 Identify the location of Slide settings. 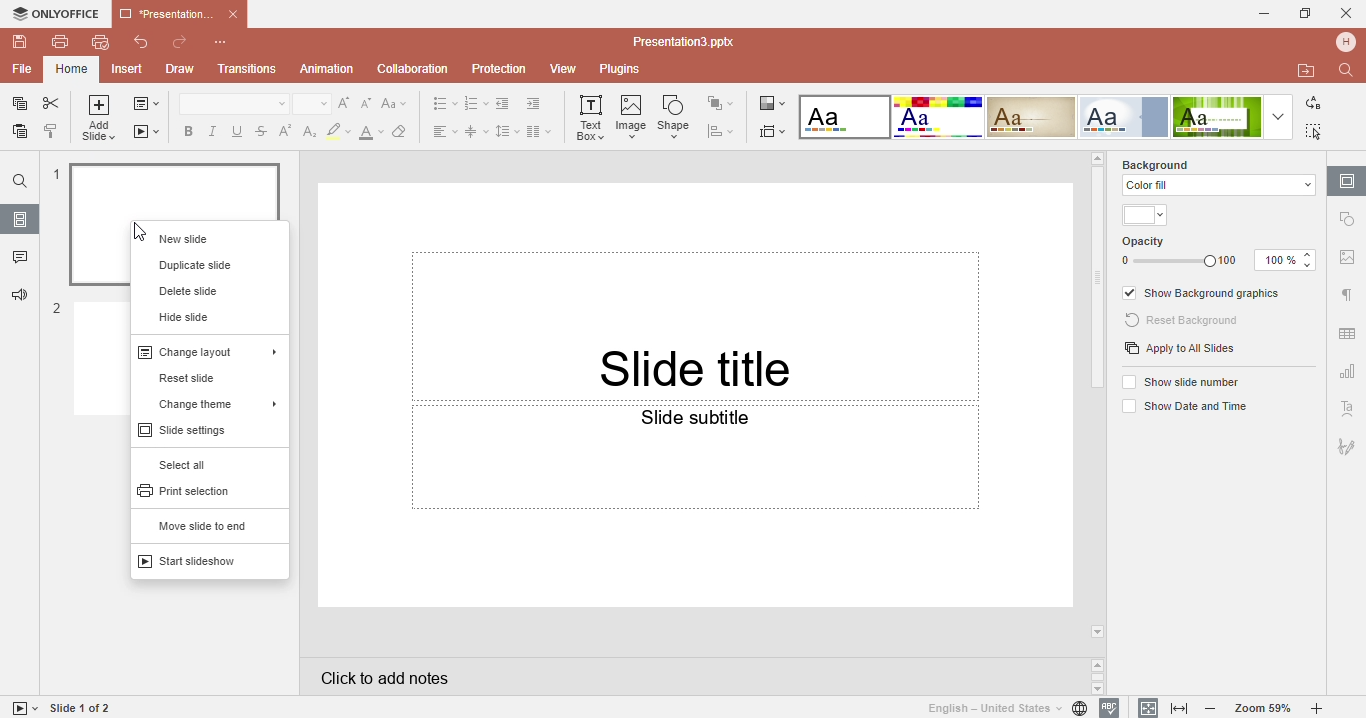
(196, 430).